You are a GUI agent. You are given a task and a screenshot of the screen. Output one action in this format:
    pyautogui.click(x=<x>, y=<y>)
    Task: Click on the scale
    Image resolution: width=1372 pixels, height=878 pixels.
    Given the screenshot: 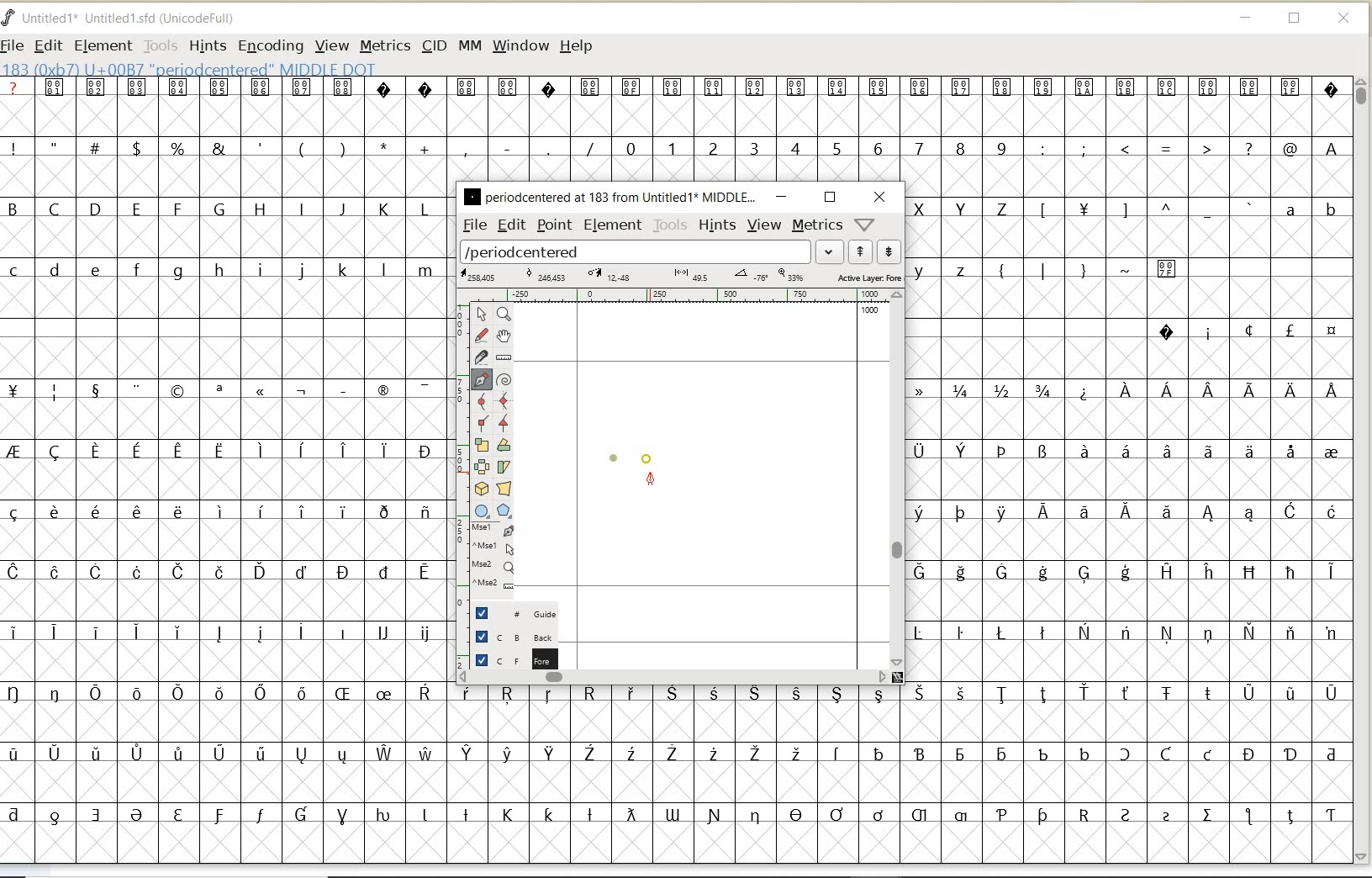 What is the action you would take?
    pyautogui.click(x=458, y=443)
    